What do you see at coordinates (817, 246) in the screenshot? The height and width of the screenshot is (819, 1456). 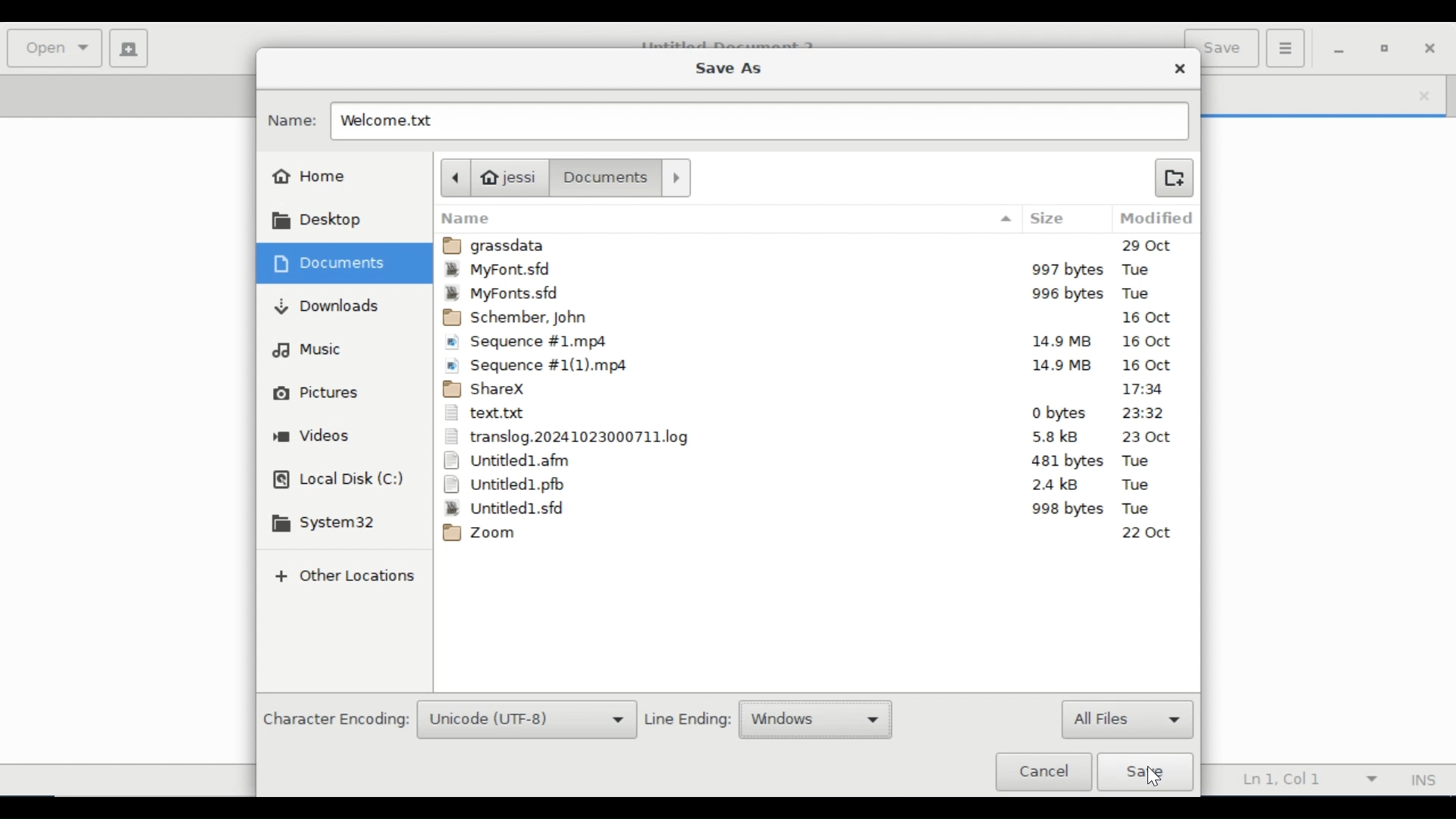 I see `grassdata 29Oct` at bounding box center [817, 246].